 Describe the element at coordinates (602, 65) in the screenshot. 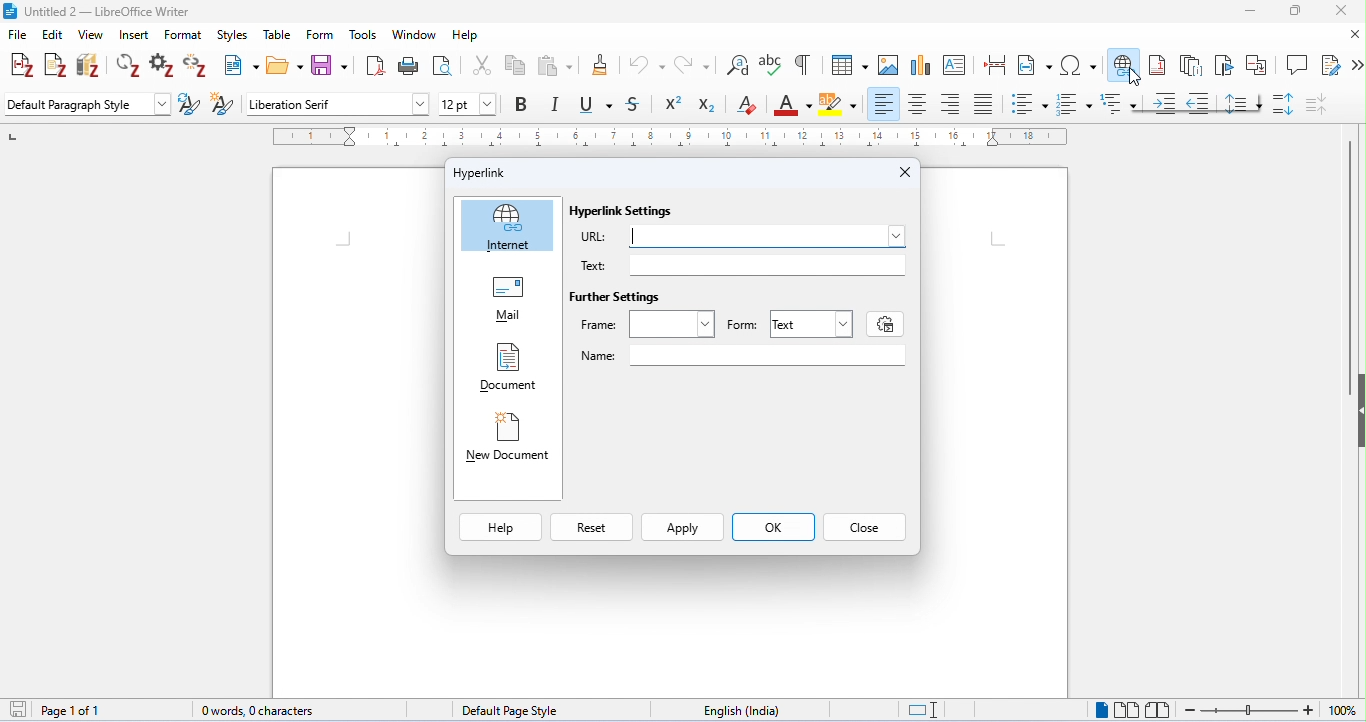

I see `clone` at that location.